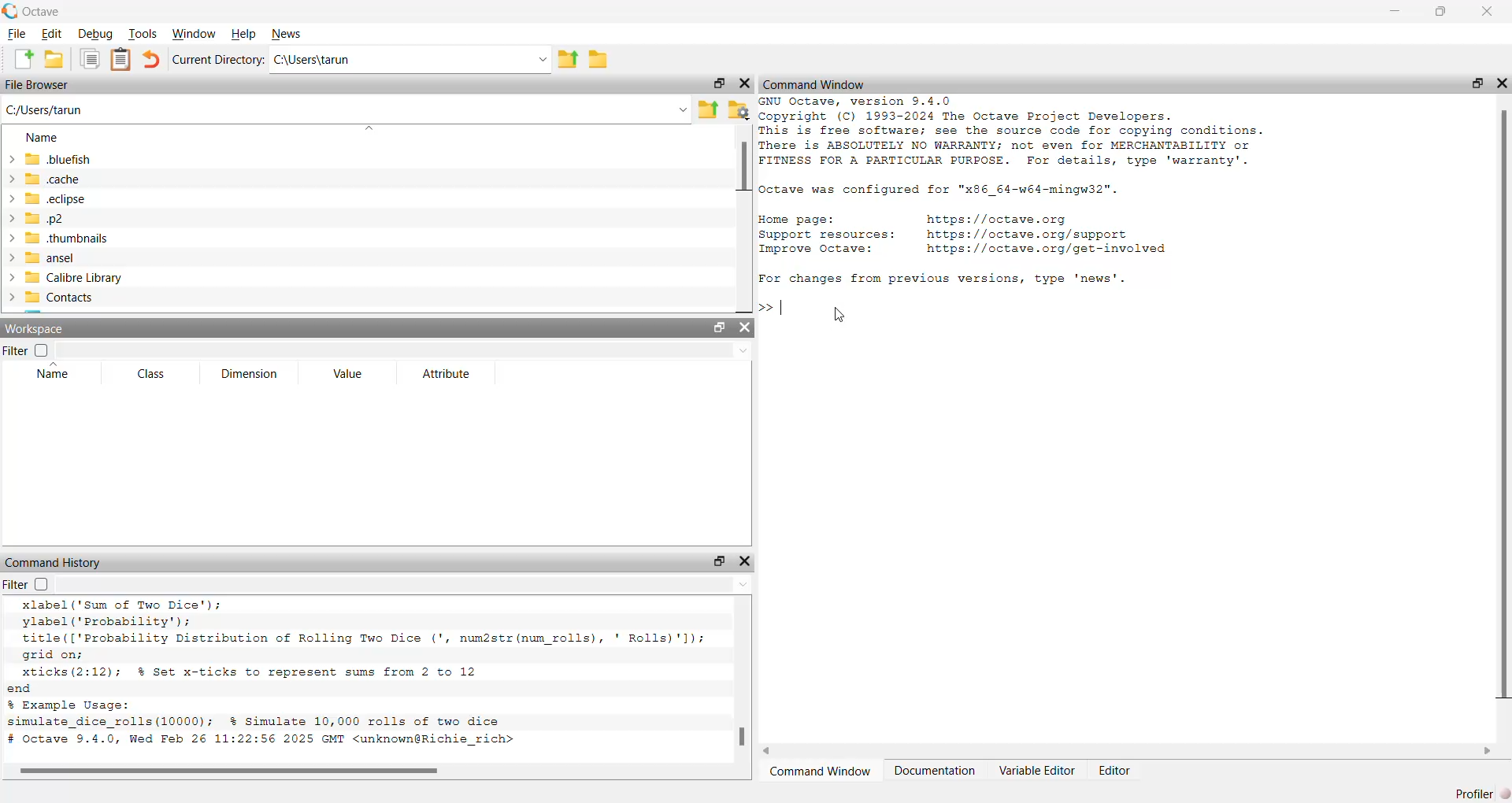 This screenshot has width=1512, height=803. I want to click on .thubnails, so click(57, 238).